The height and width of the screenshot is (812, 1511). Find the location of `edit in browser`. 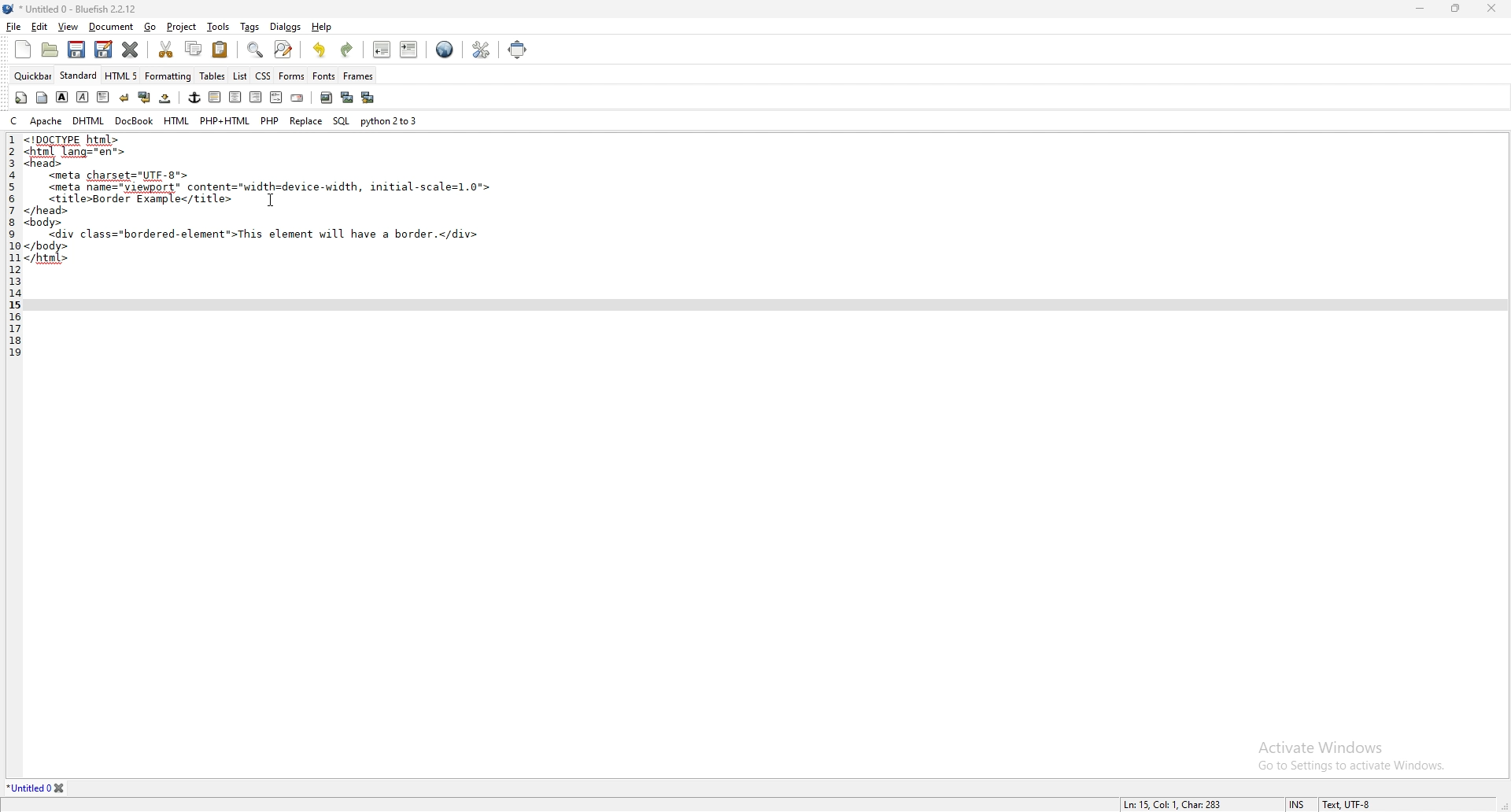

edit in browser is located at coordinates (445, 50).